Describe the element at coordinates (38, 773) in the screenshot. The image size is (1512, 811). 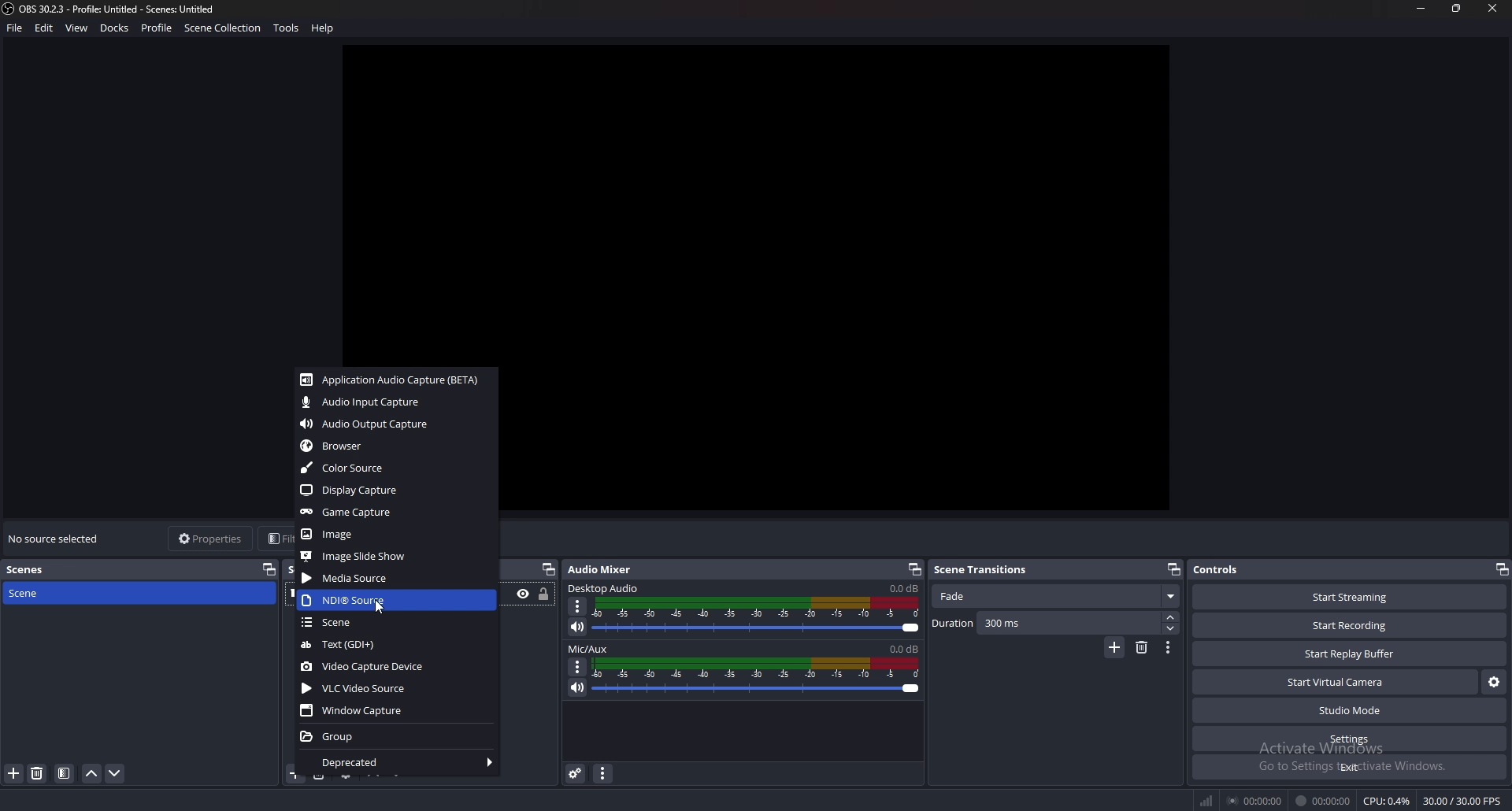
I see `remove source` at that location.